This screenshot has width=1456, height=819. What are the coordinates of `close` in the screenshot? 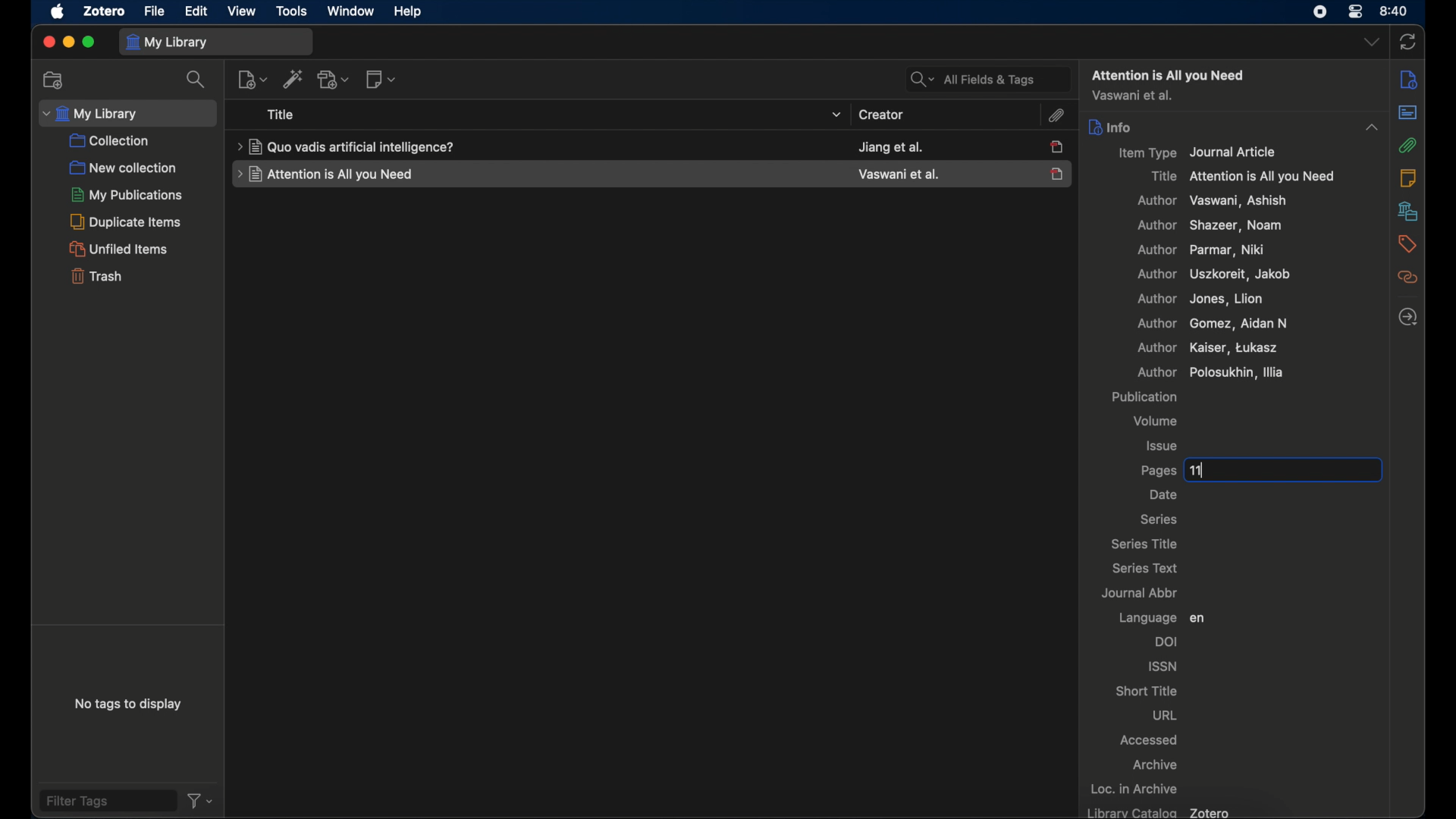 It's located at (46, 42).